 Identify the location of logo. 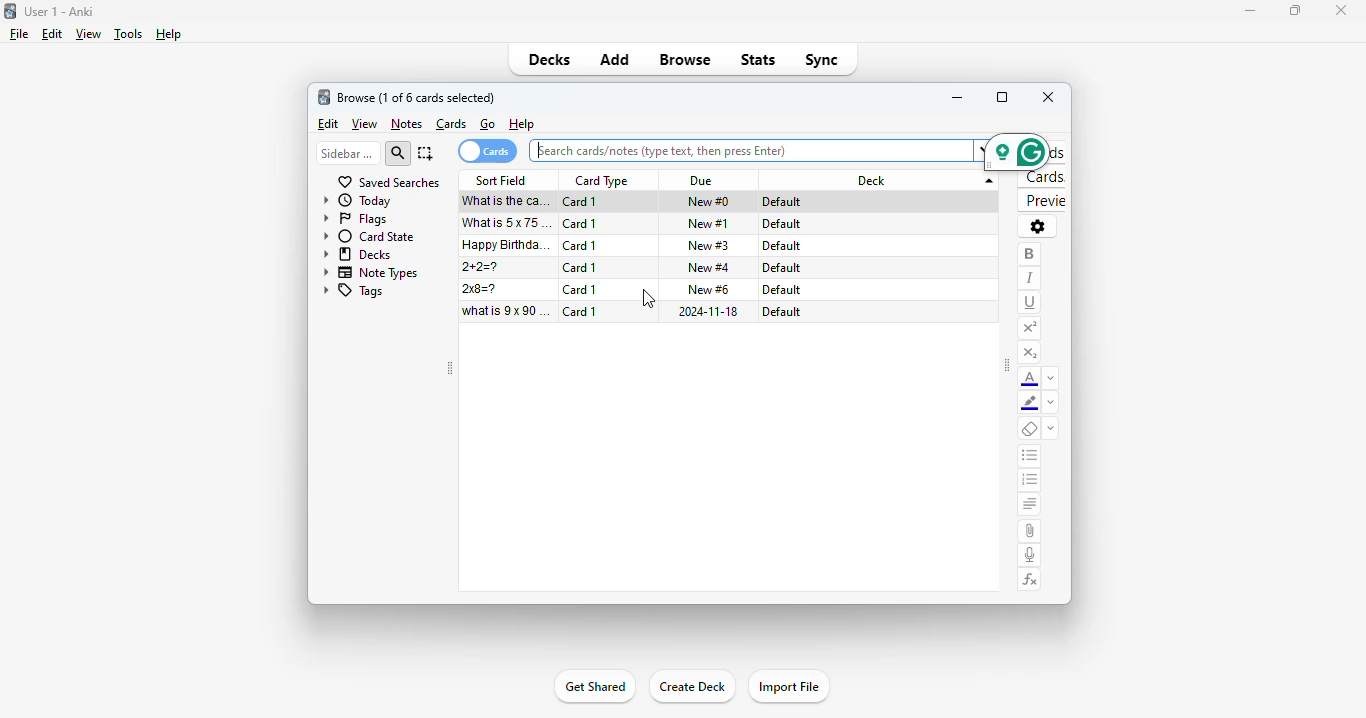
(10, 10).